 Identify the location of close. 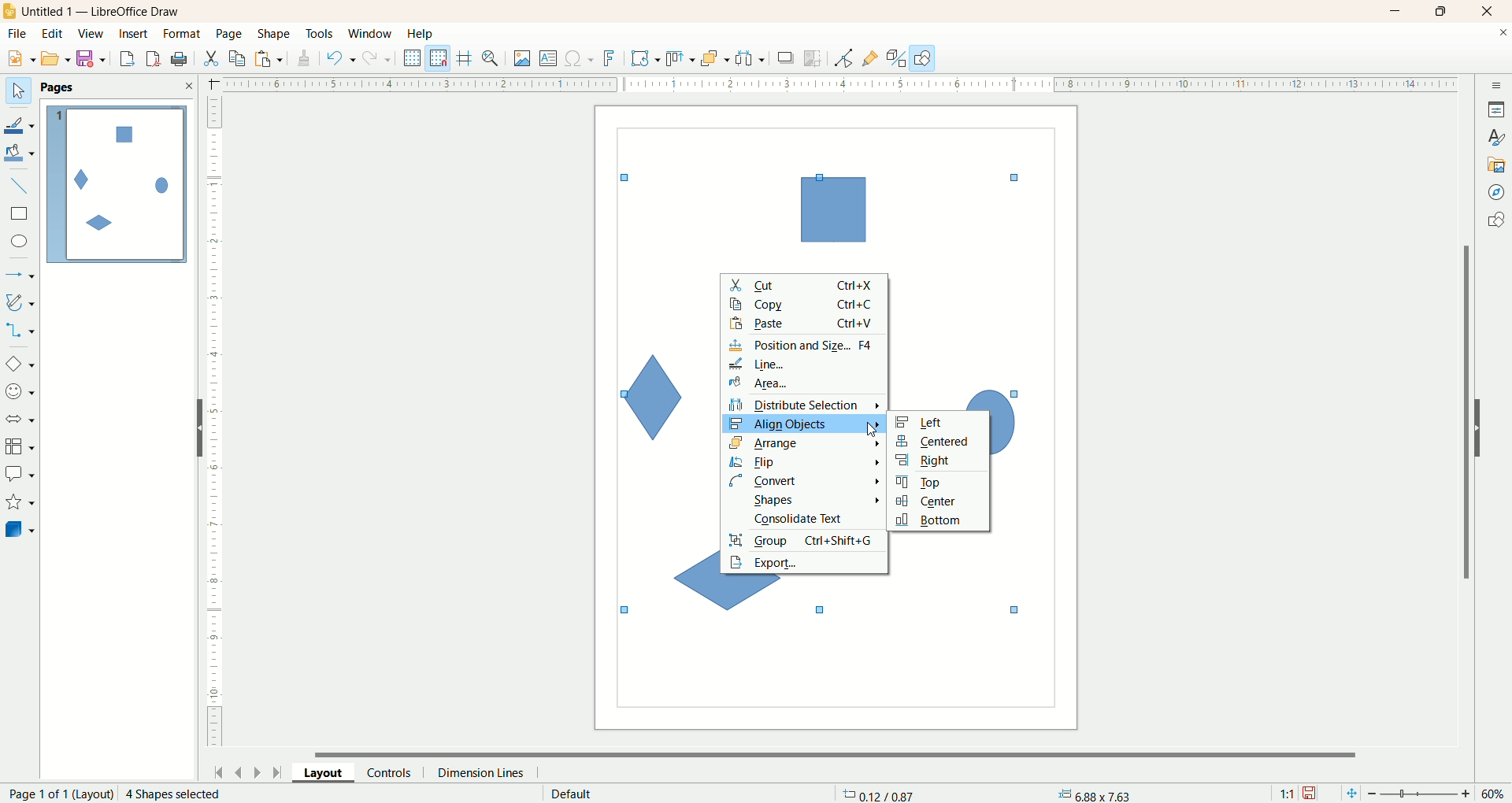
(1503, 35).